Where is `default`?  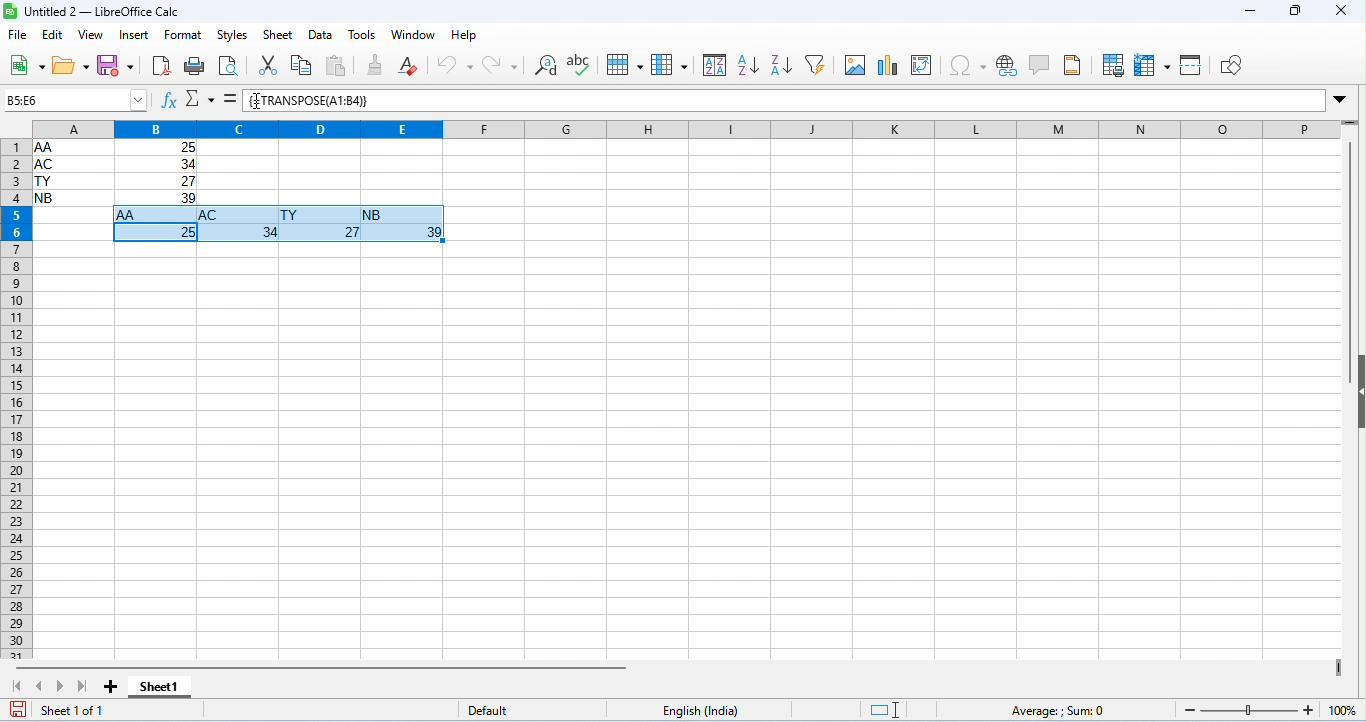
default is located at coordinates (489, 710).